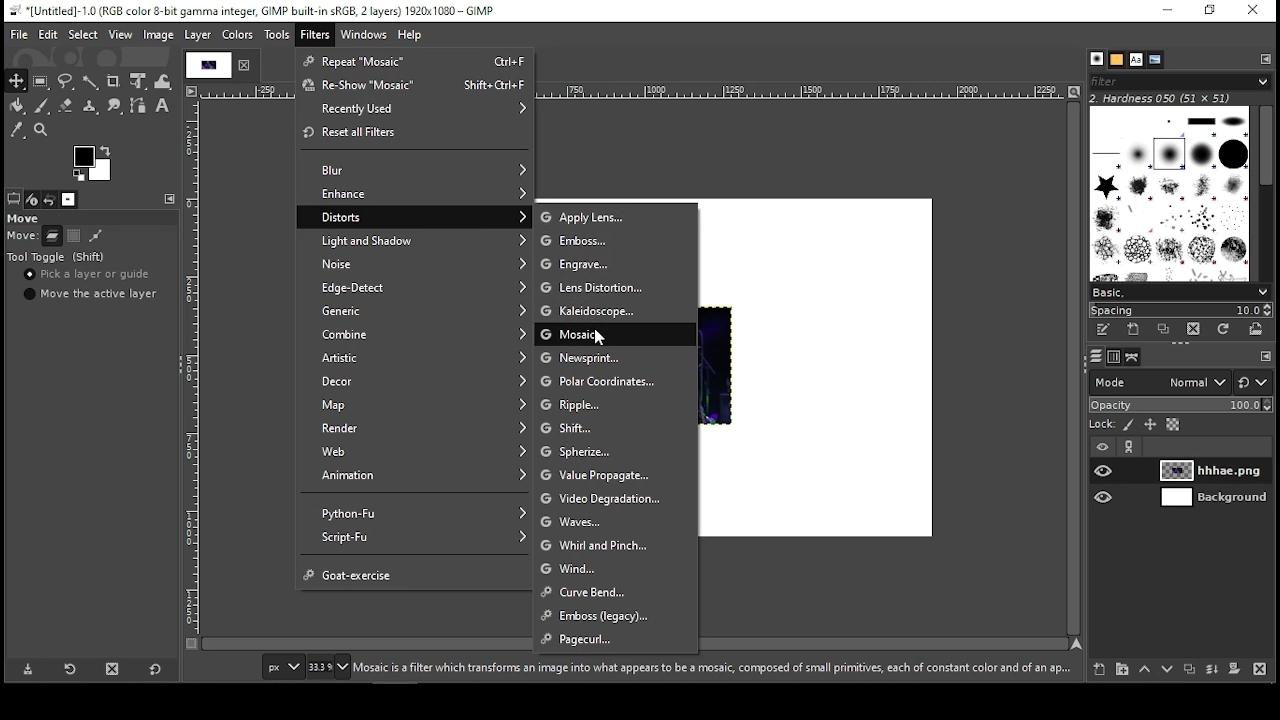 Image resolution: width=1280 pixels, height=720 pixels. What do you see at coordinates (331, 668) in the screenshot?
I see `` at bounding box center [331, 668].